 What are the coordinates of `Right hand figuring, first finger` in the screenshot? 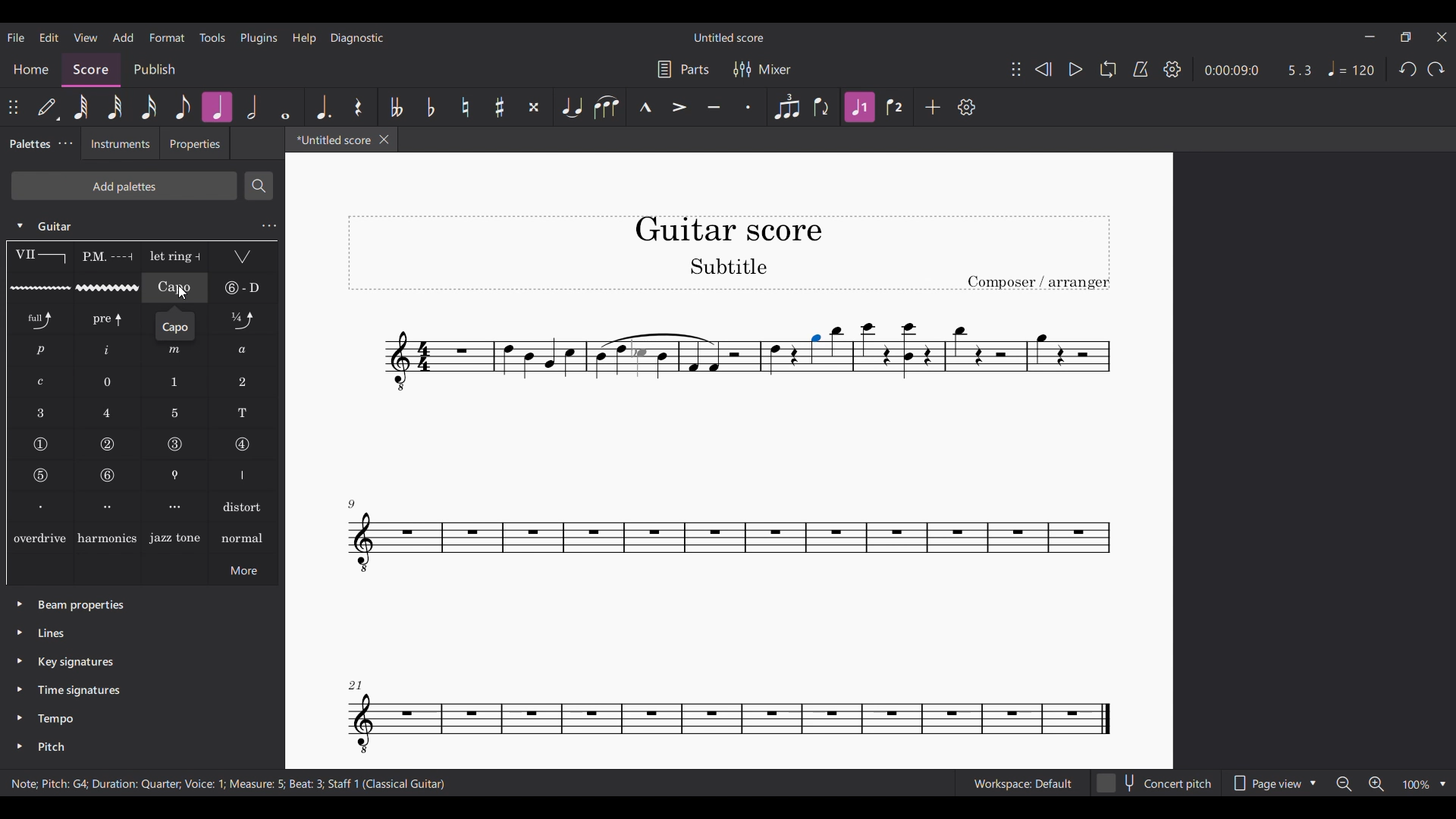 It's located at (39, 506).